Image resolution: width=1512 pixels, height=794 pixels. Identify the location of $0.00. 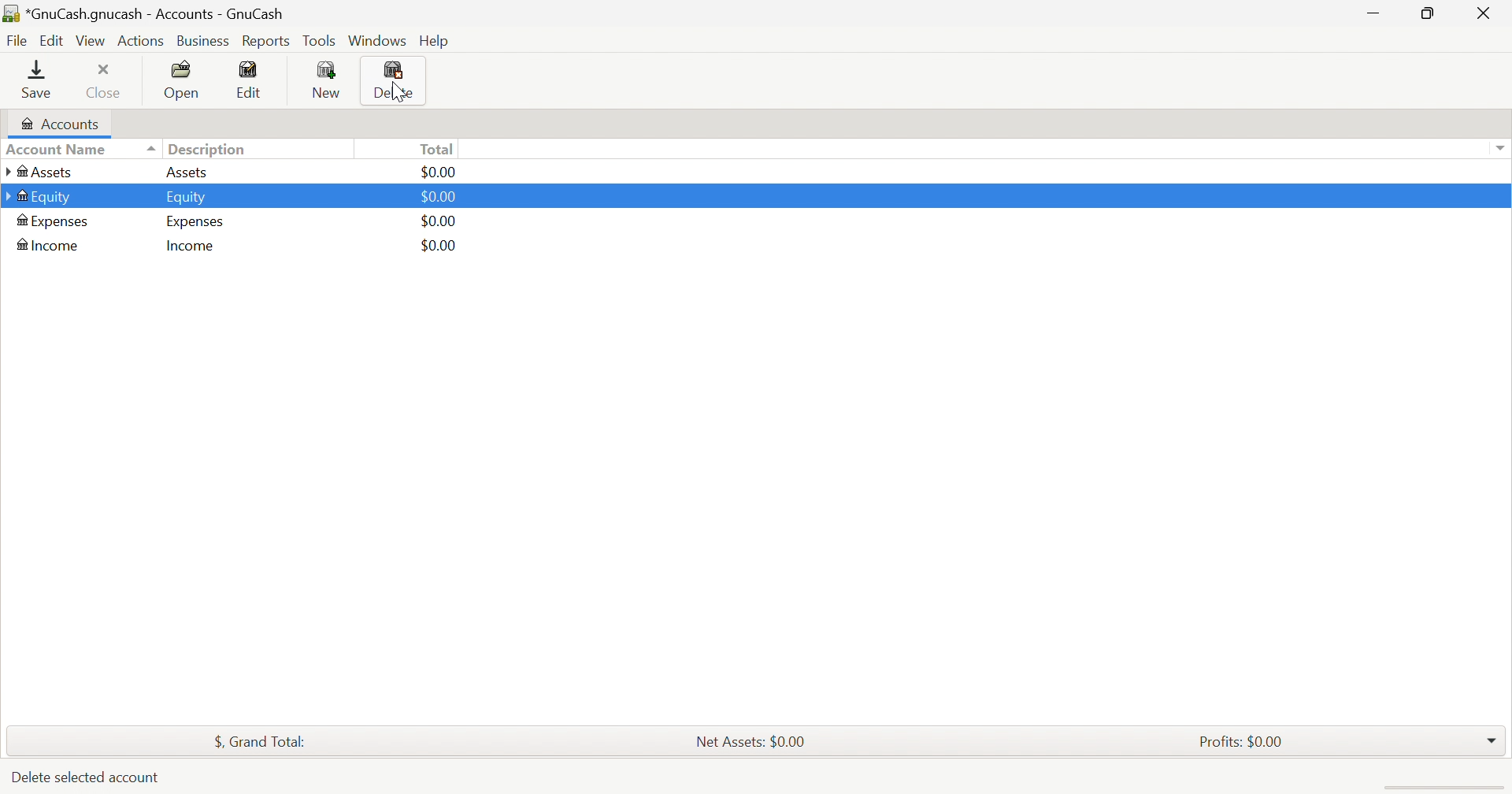
(432, 171).